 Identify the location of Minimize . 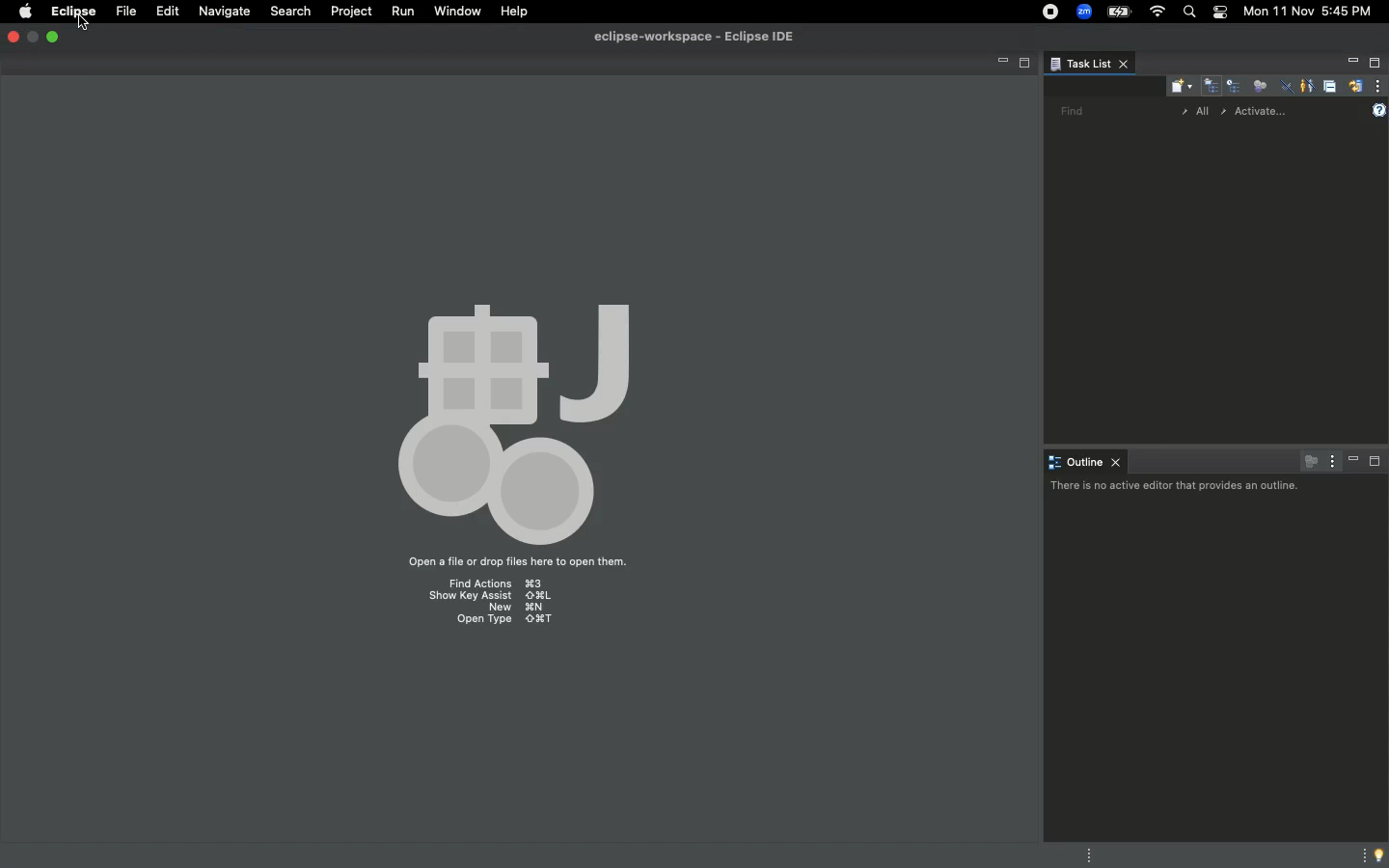
(1349, 64).